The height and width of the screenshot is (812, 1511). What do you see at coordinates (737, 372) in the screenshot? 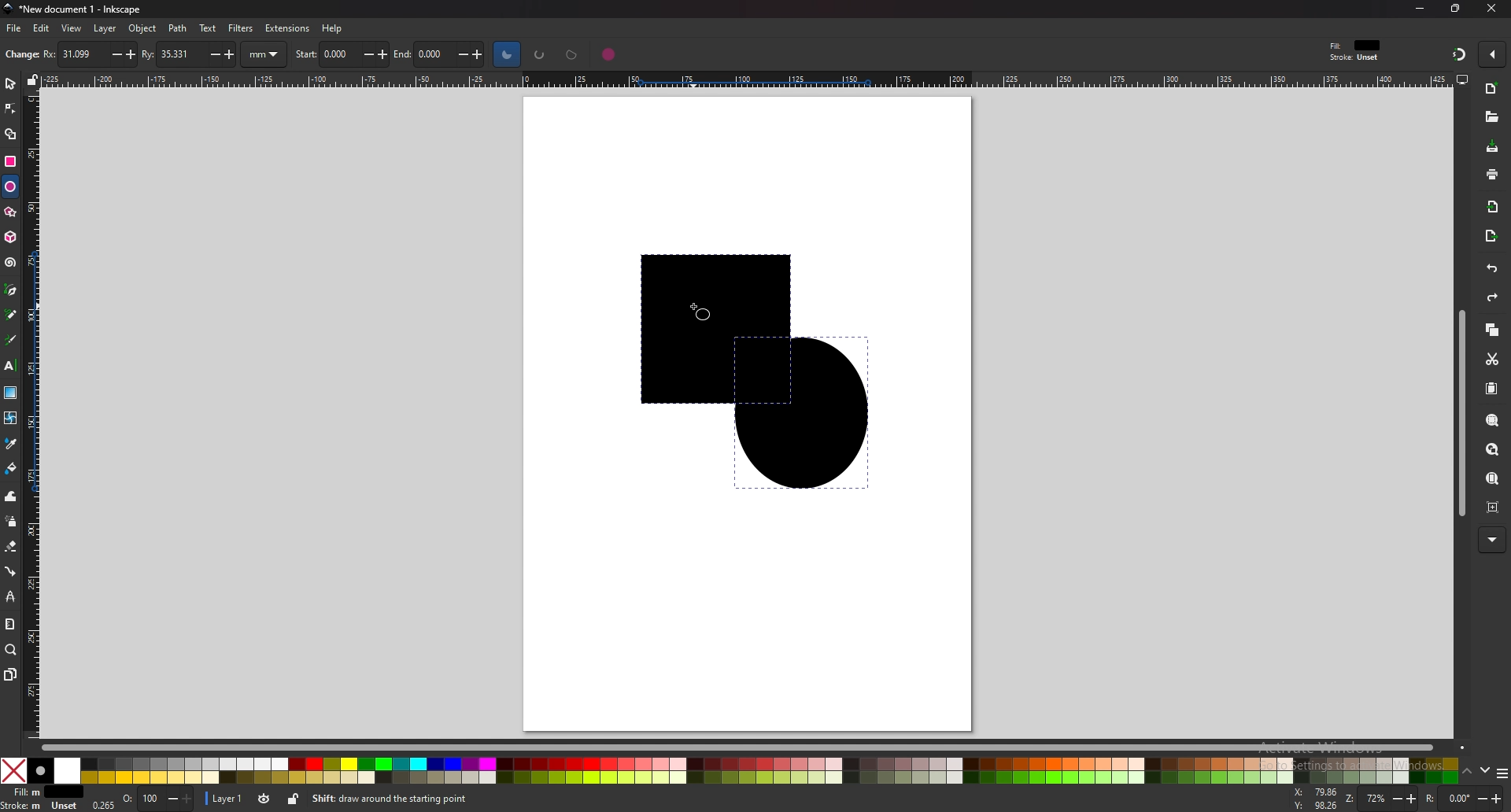
I see `shapes` at bounding box center [737, 372].